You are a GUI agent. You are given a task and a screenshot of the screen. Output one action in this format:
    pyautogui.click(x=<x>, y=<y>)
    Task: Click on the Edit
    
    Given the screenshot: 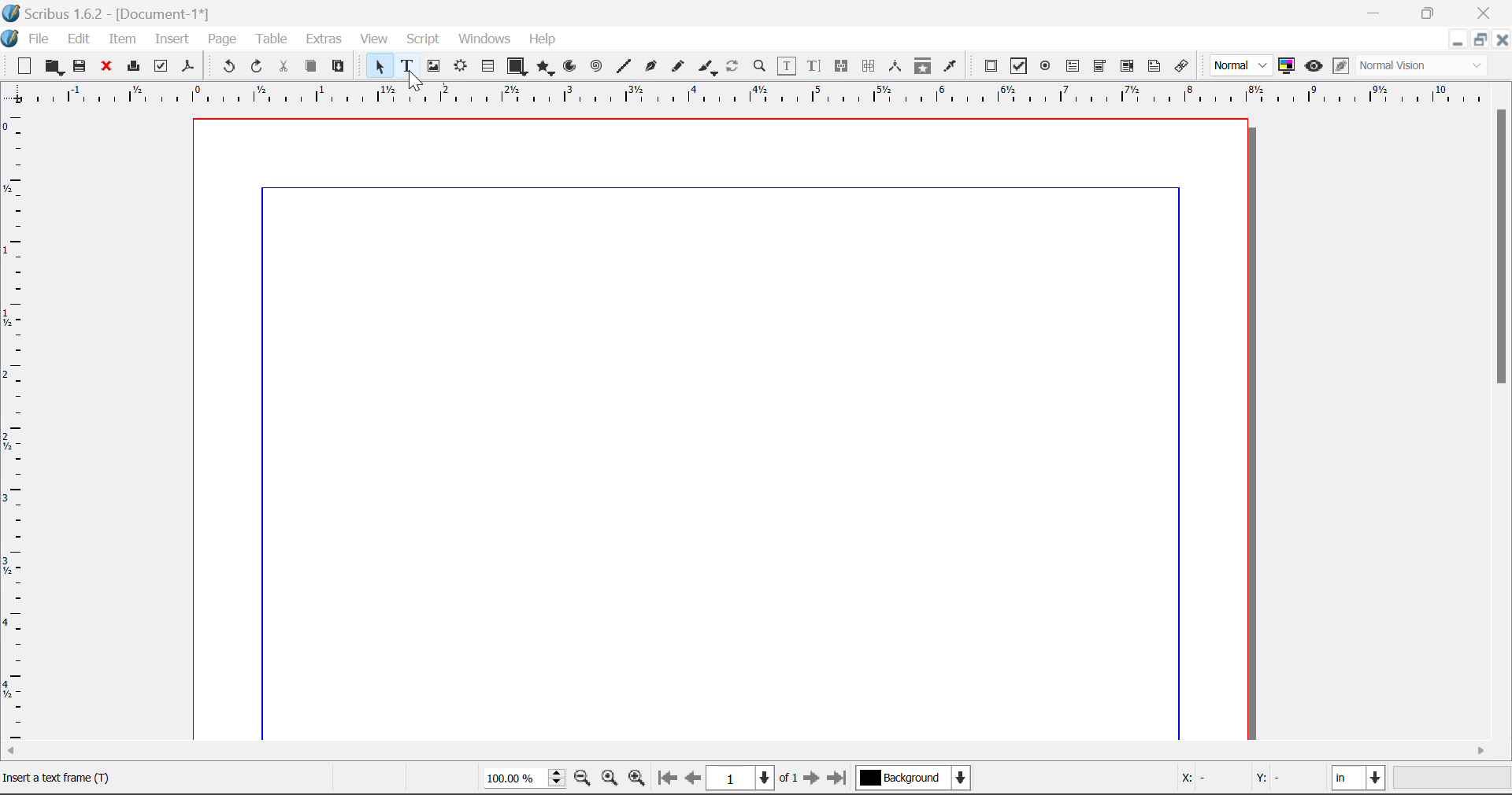 What is the action you would take?
    pyautogui.click(x=79, y=38)
    